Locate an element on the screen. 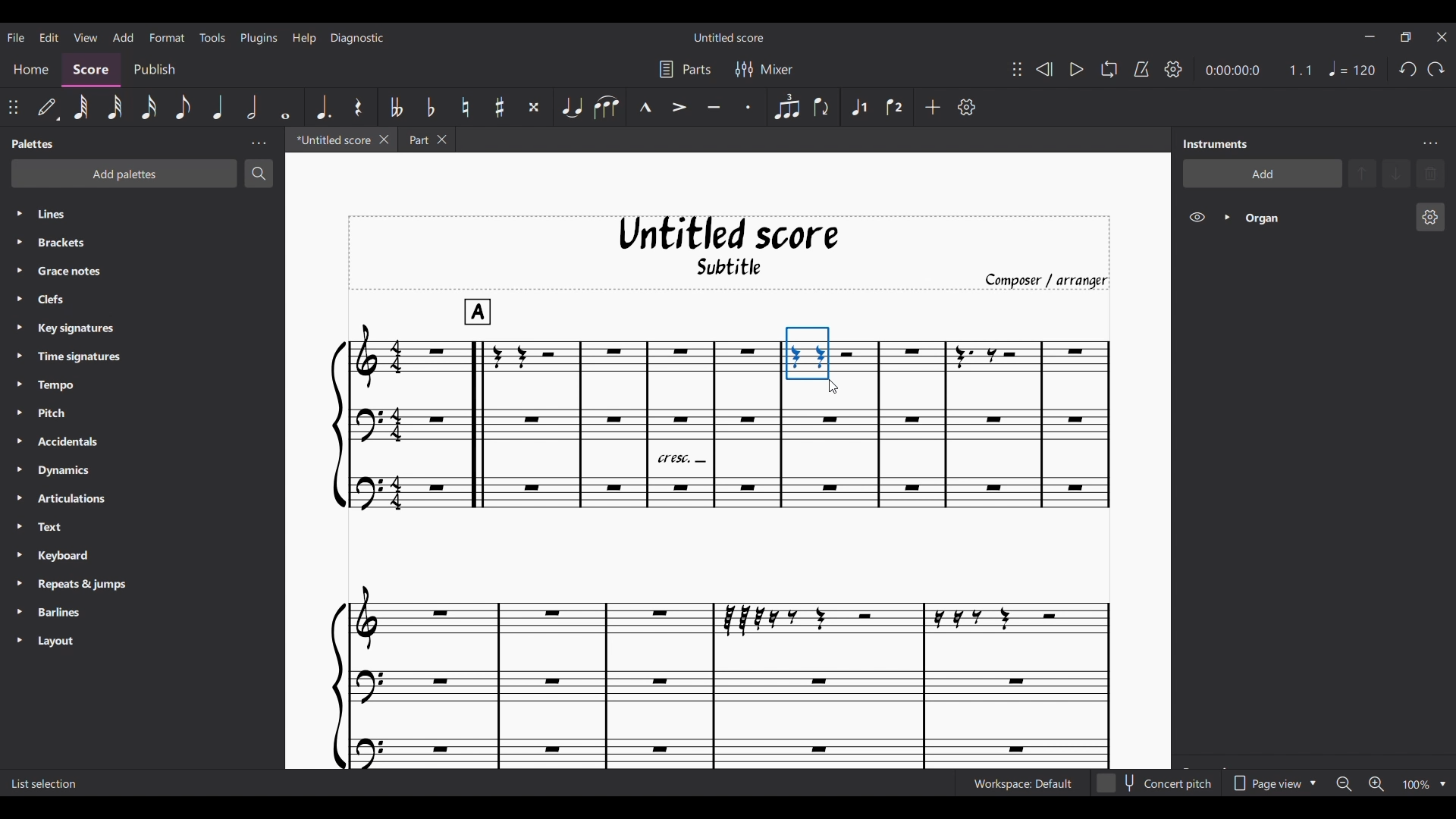 Image resolution: width=1456 pixels, height=819 pixels. Earlier tab is located at coordinates (426, 140).